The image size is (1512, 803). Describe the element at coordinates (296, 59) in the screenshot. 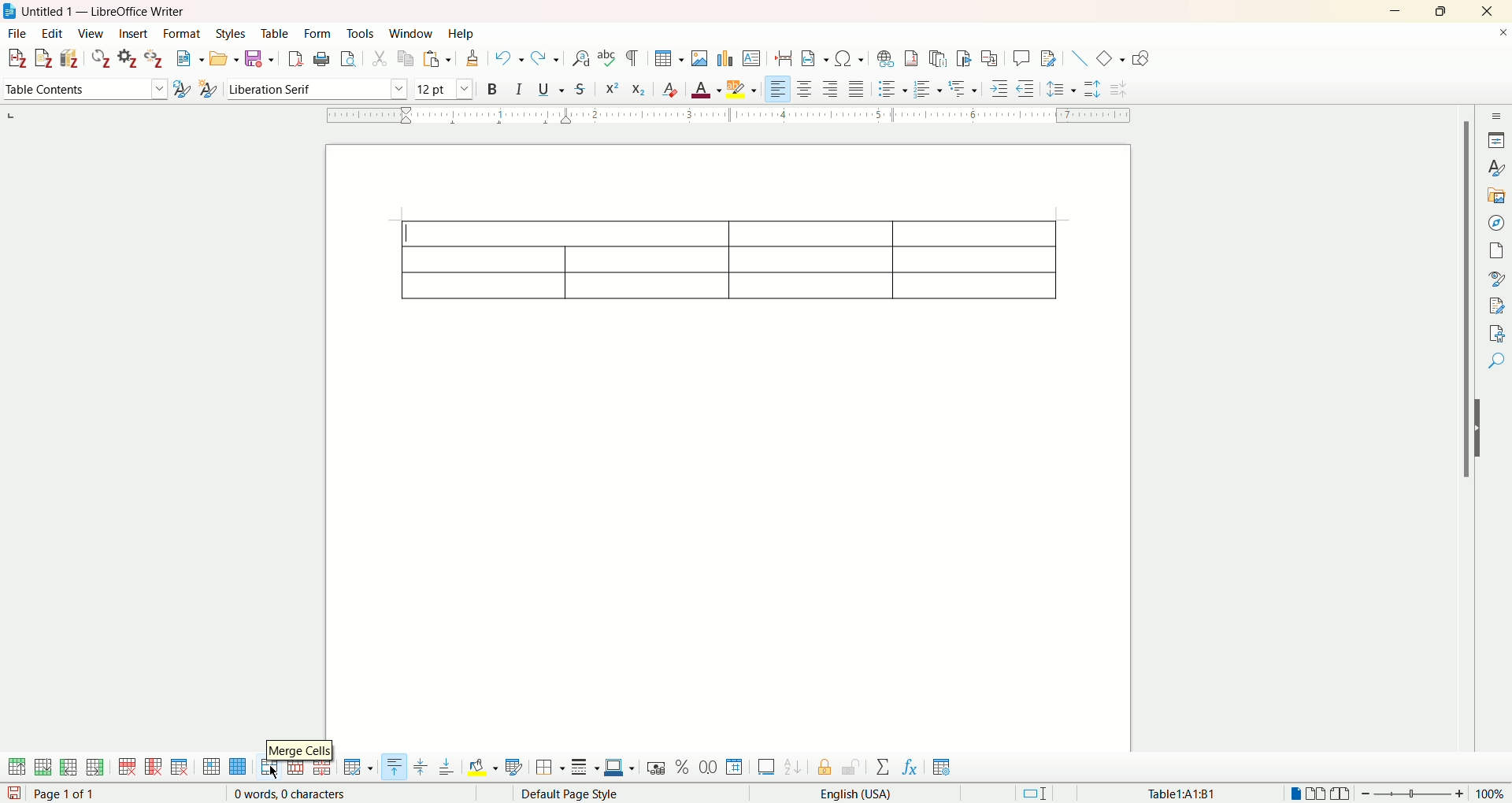

I see `export` at that location.